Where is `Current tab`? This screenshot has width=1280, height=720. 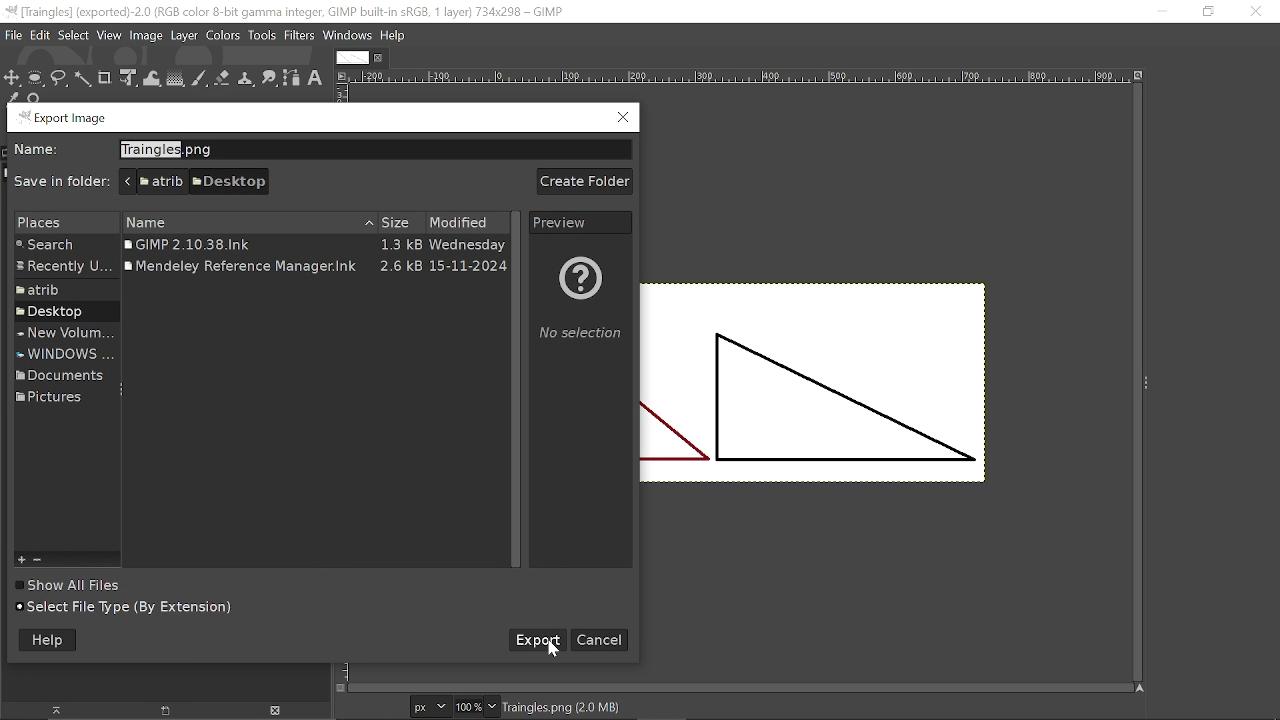 Current tab is located at coordinates (352, 58).